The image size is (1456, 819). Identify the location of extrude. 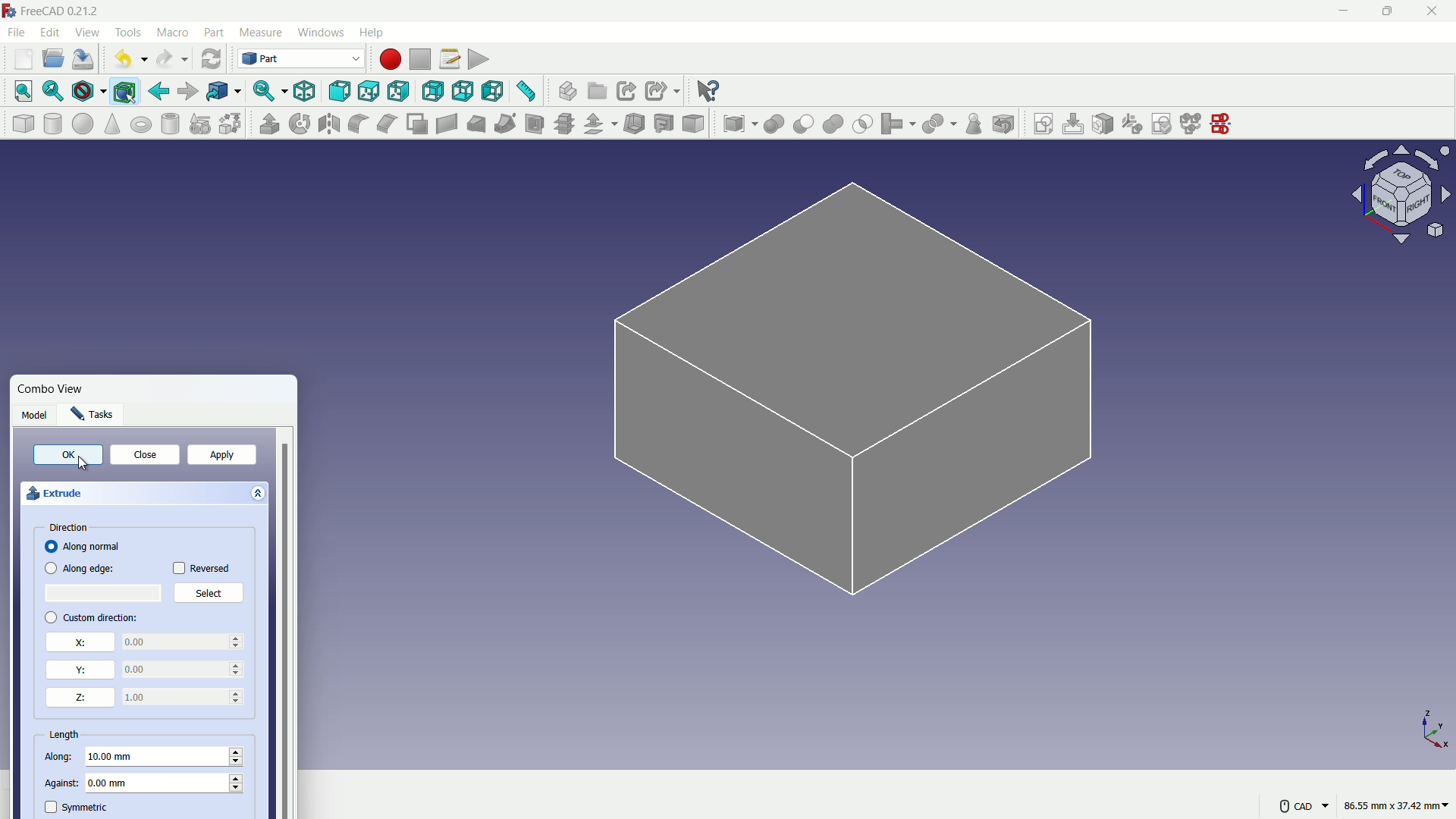
(270, 123).